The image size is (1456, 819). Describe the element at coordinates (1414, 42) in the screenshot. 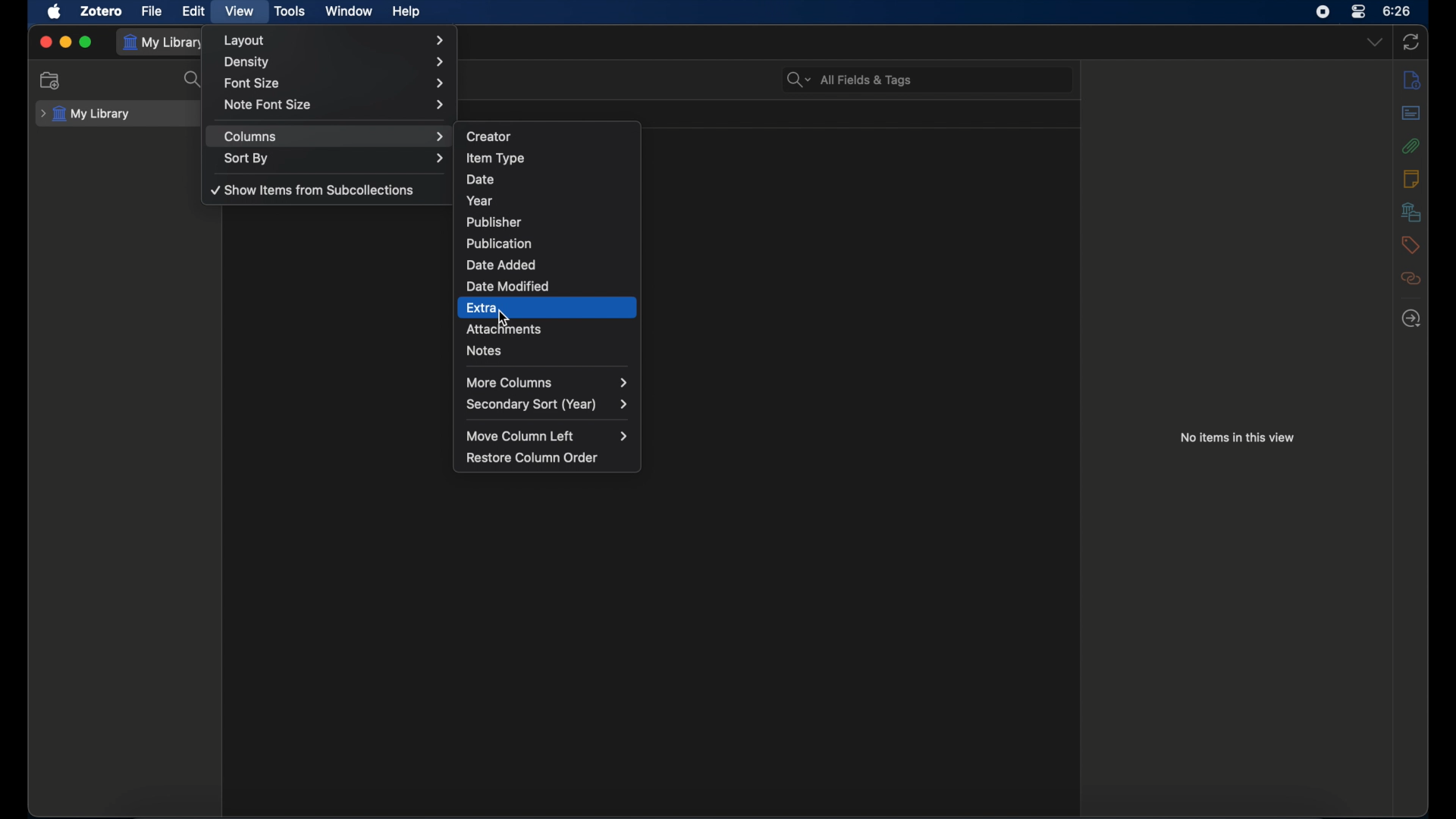

I see `sync` at that location.